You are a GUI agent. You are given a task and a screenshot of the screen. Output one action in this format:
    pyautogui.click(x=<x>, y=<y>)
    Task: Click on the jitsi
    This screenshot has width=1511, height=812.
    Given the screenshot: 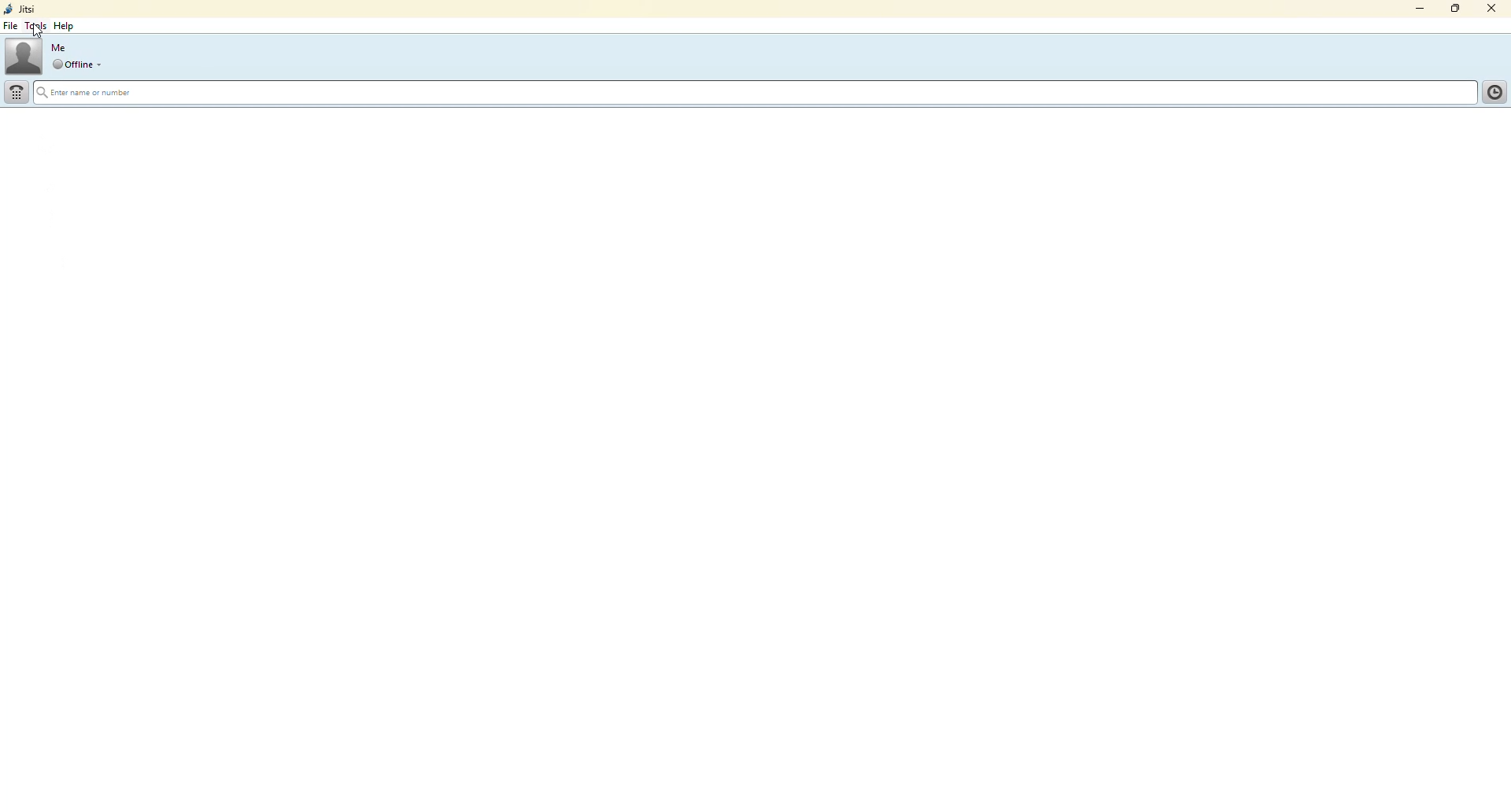 What is the action you would take?
    pyautogui.click(x=22, y=9)
    